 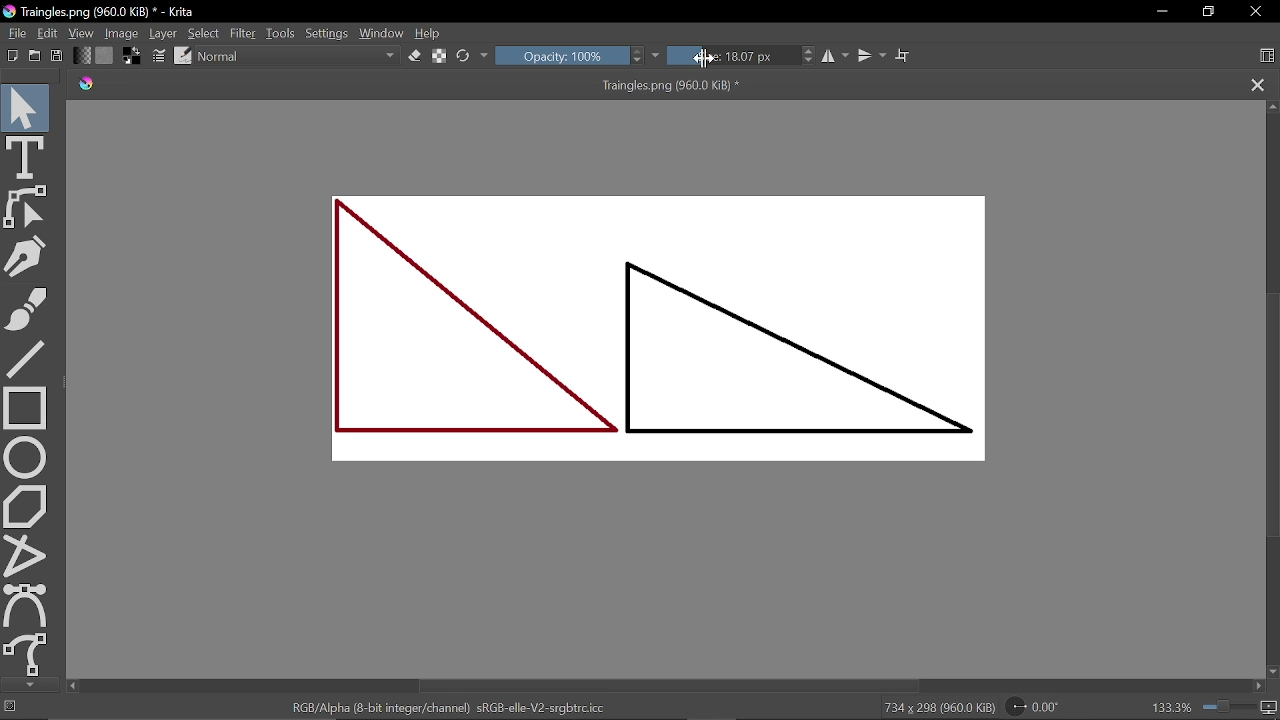 What do you see at coordinates (121, 34) in the screenshot?
I see `Image` at bounding box center [121, 34].